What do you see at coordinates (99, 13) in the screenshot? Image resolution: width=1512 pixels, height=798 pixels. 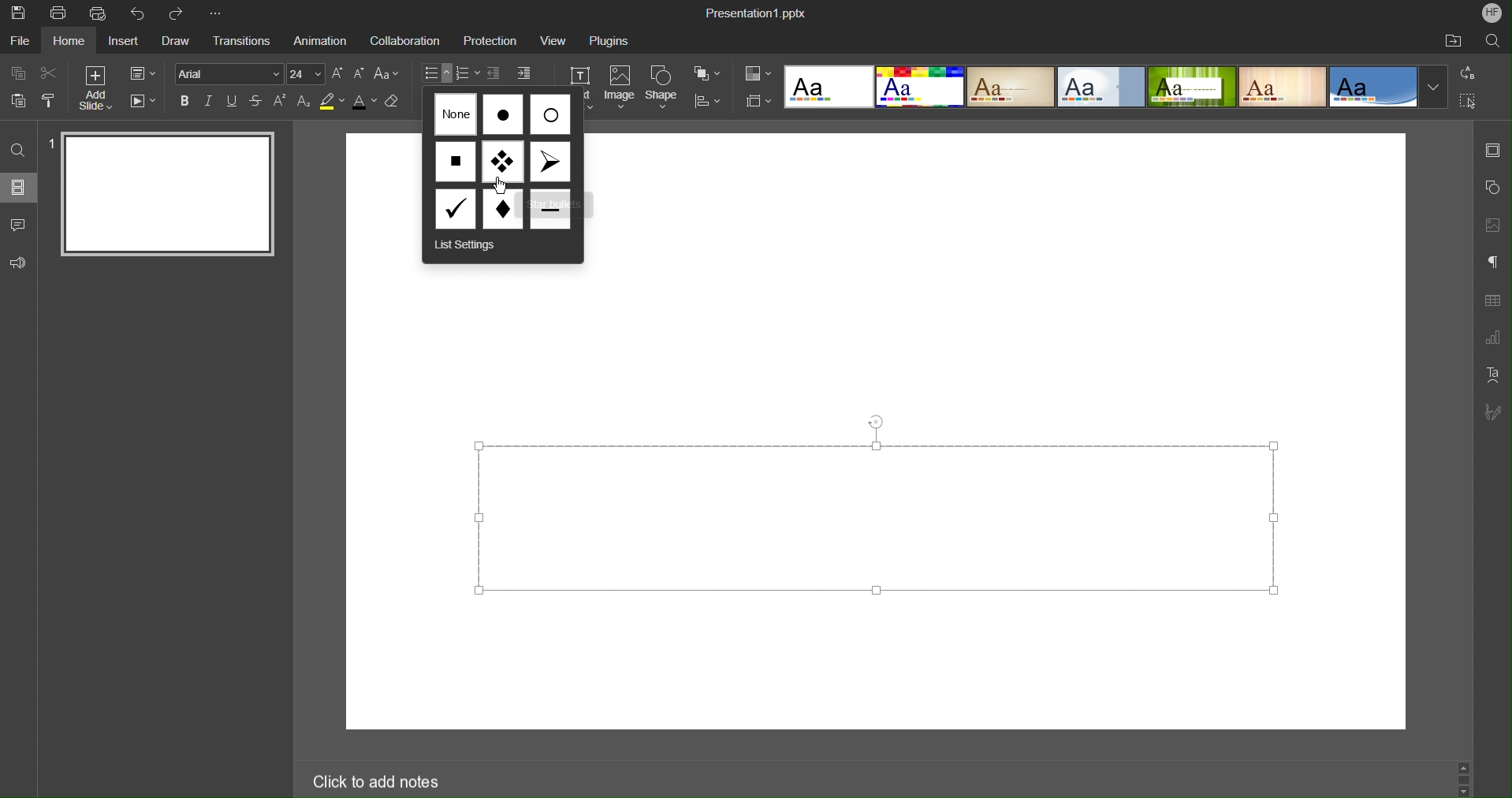 I see `Quick Print` at bounding box center [99, 13].